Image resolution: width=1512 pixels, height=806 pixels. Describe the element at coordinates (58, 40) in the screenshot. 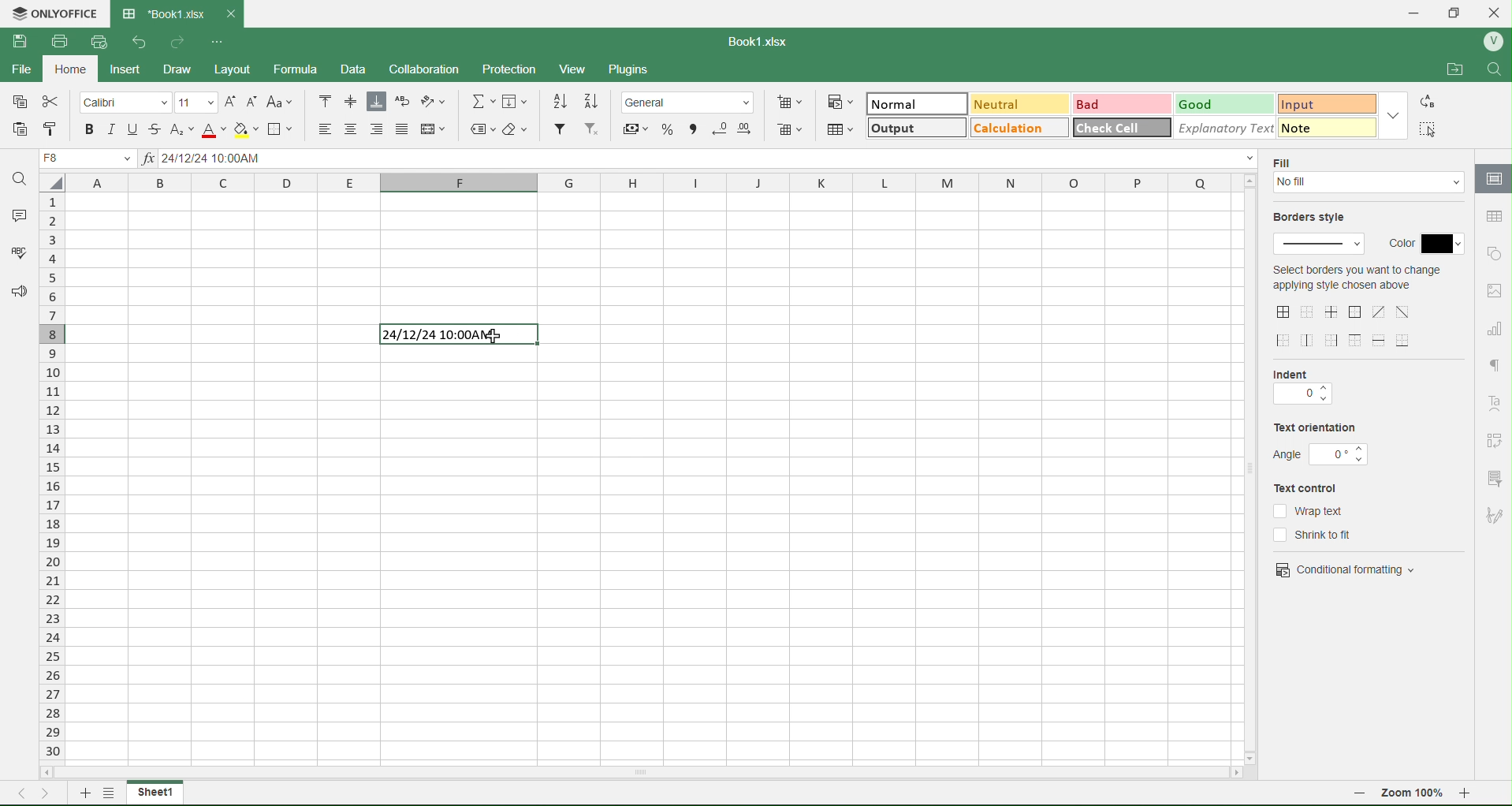

I see `Print` at that location.